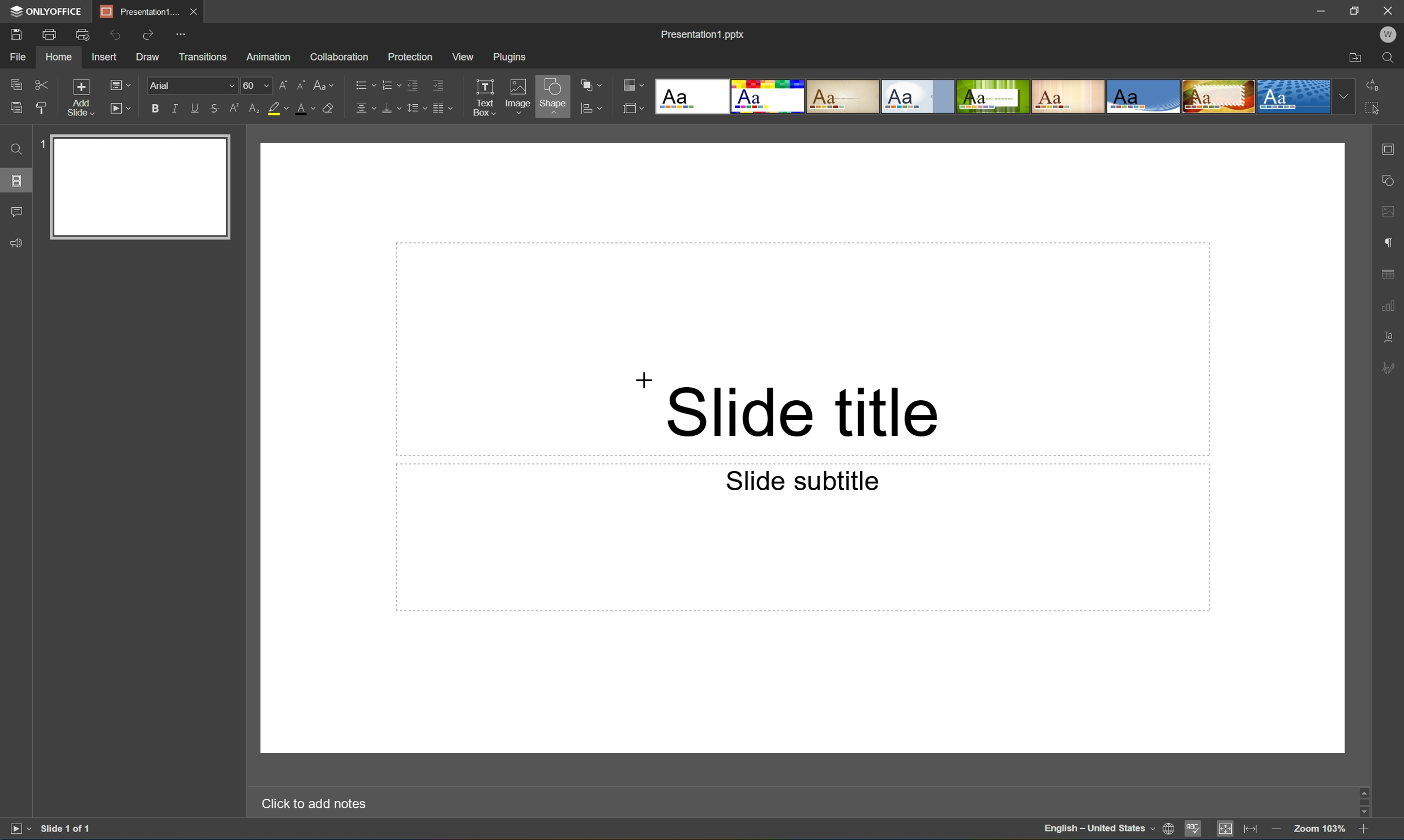  Describe the element at coordinates (21, 58) in the screenshot. I see `File` at that location.